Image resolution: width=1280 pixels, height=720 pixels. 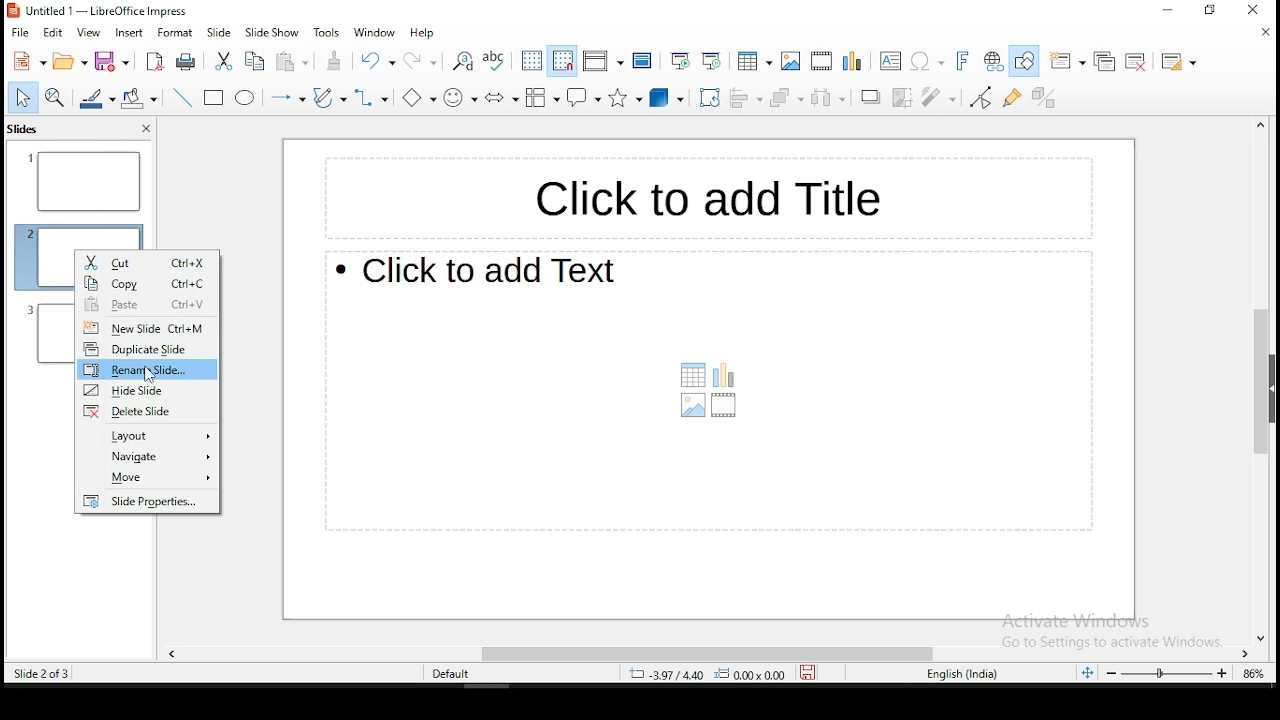 I want to click on arrange, so click(x=788, y=98).